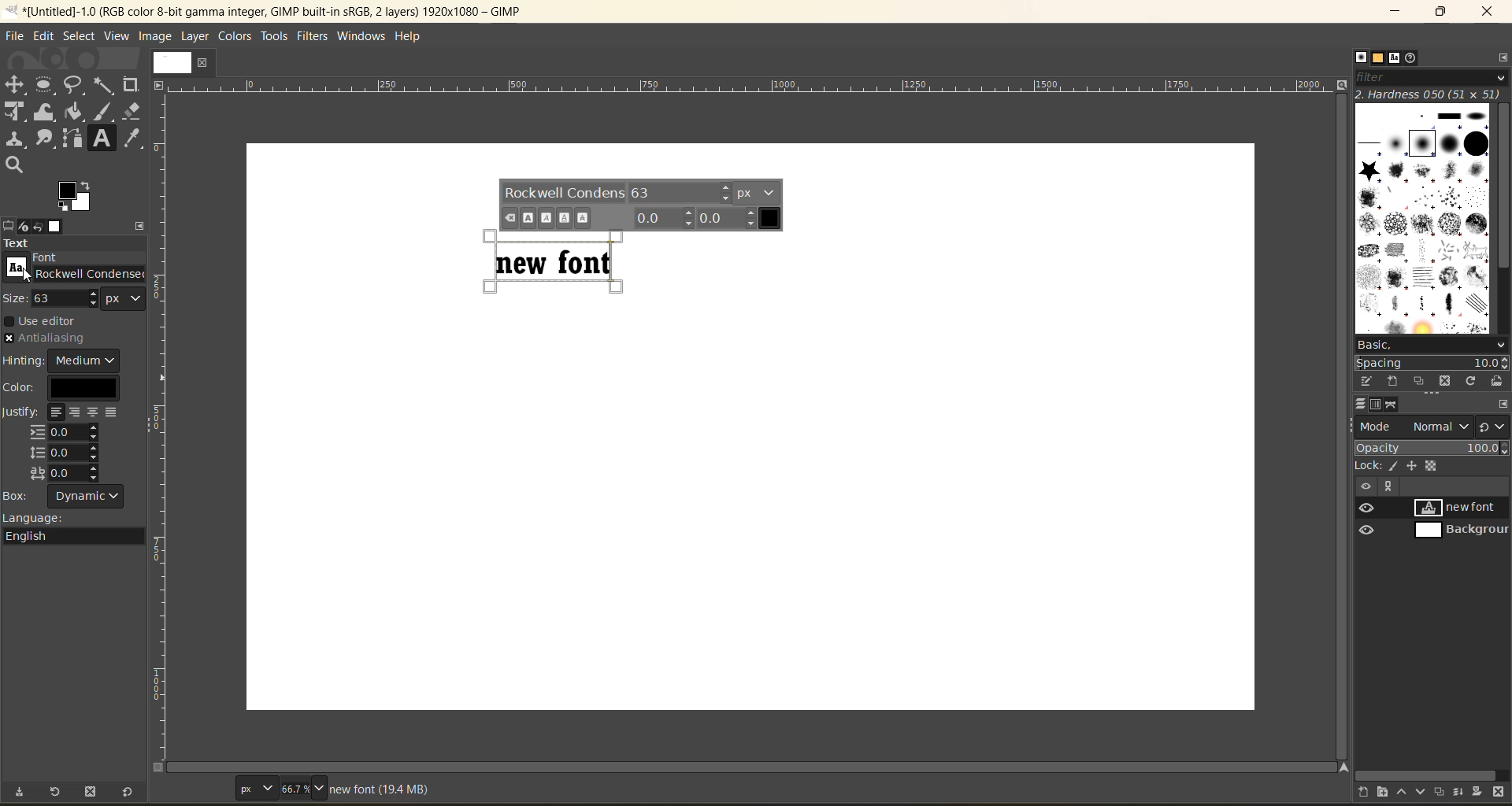  What do you see at coordinates (117, 35) in the screenshot?
I see `view` at bounding box center [117, 35].